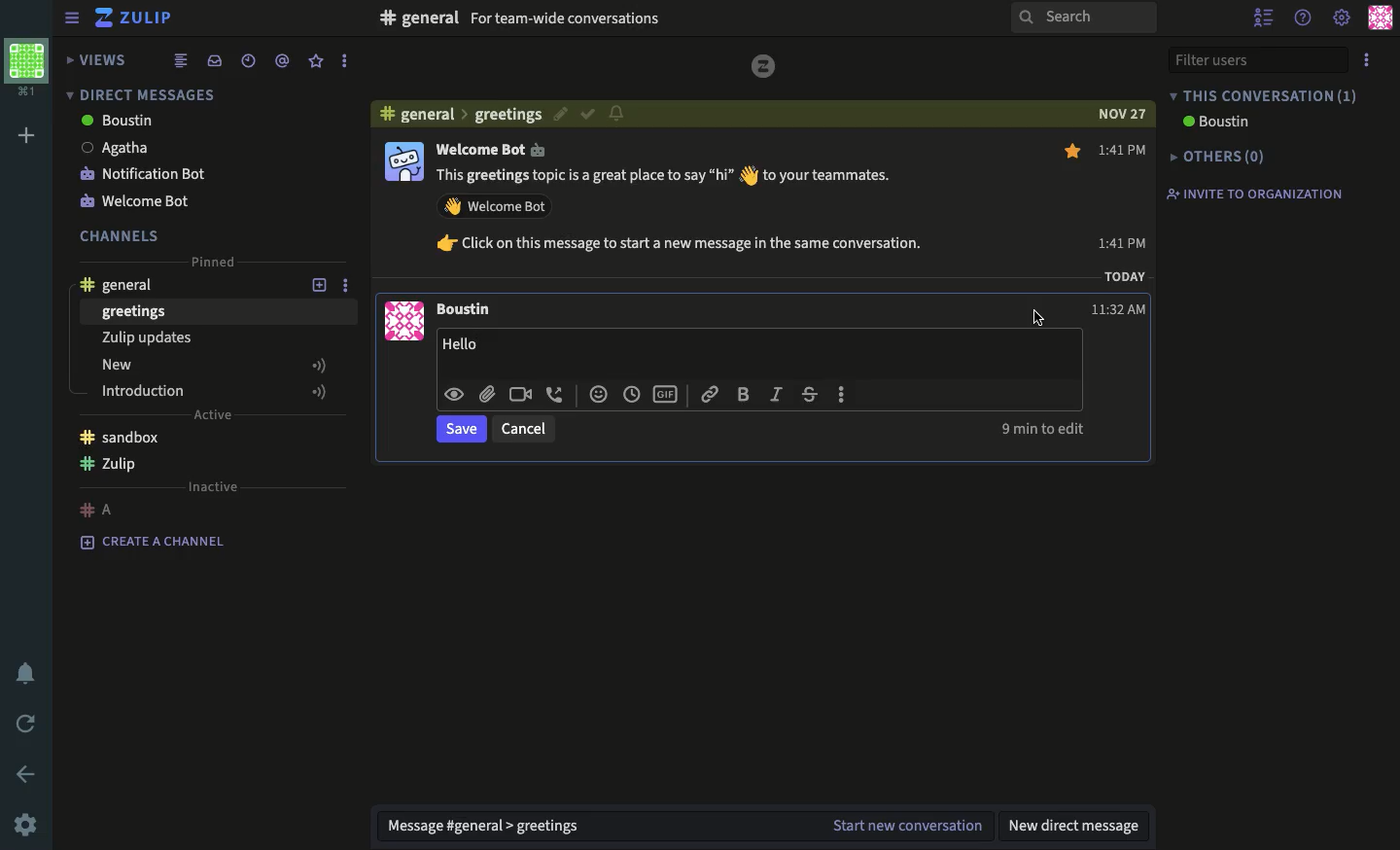  I want to click on create a channel, so click(159, 543).